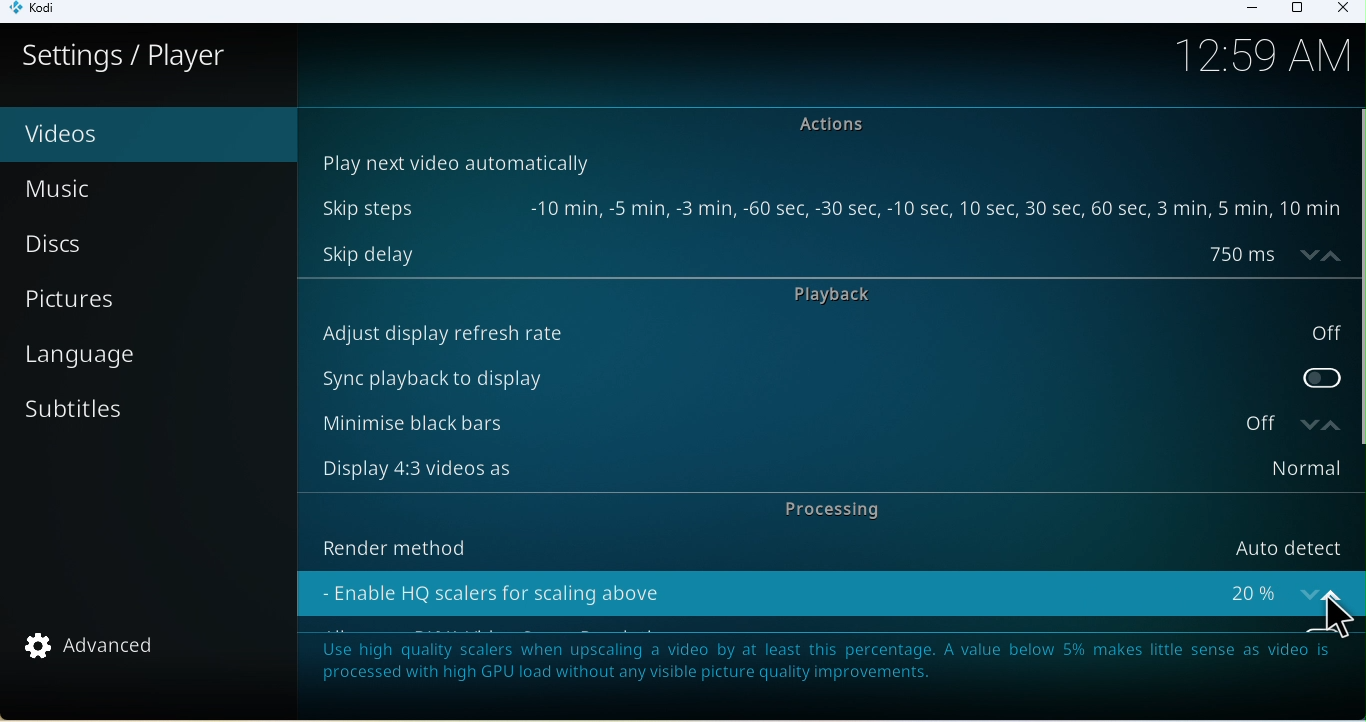 The width and height of the screenshot is (1366, 722). I want to click on Auto display refresh rate, so click(828, 333).